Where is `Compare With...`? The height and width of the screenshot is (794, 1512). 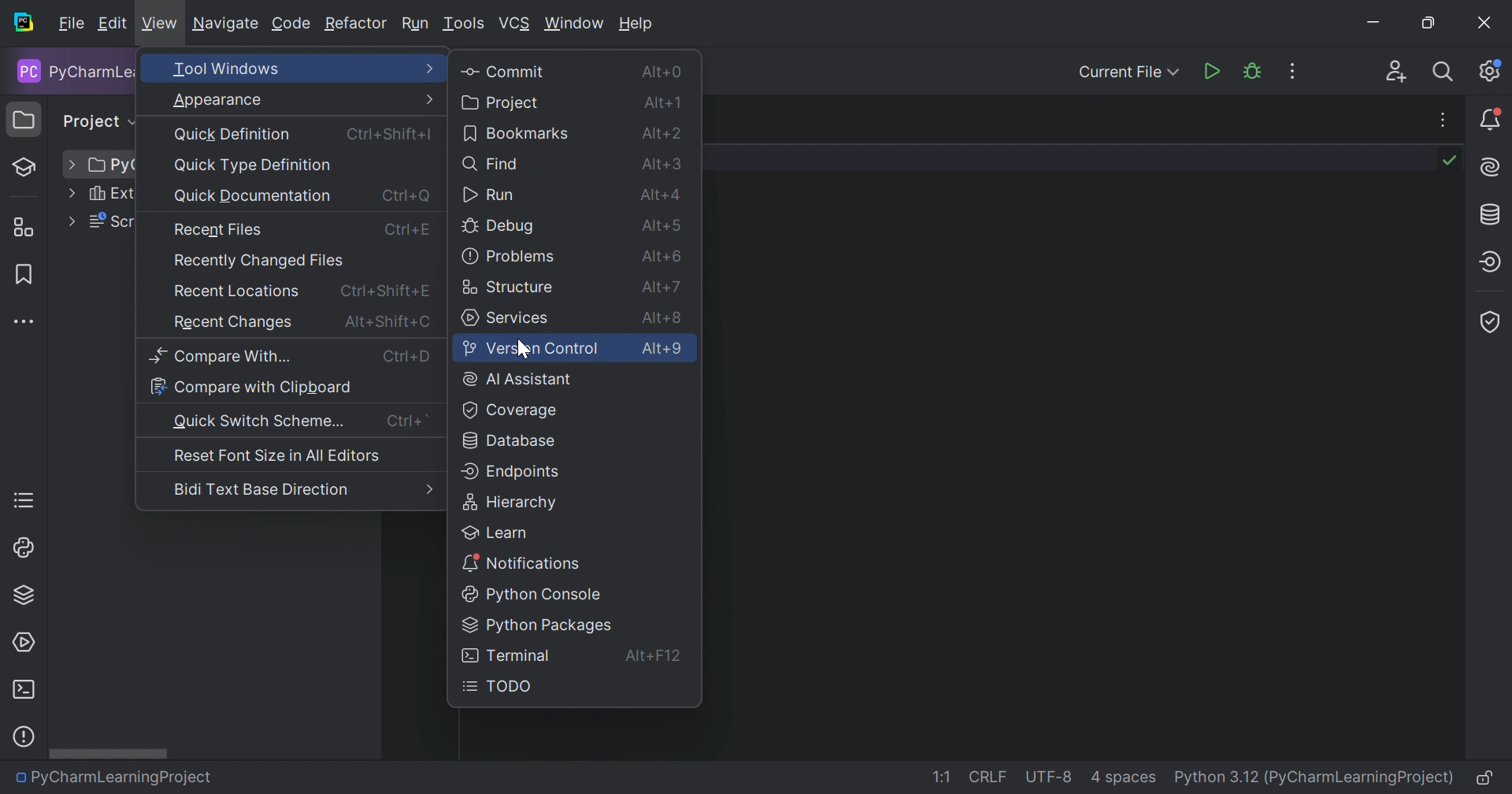
Compare With... is located at coordinates (219, 356).